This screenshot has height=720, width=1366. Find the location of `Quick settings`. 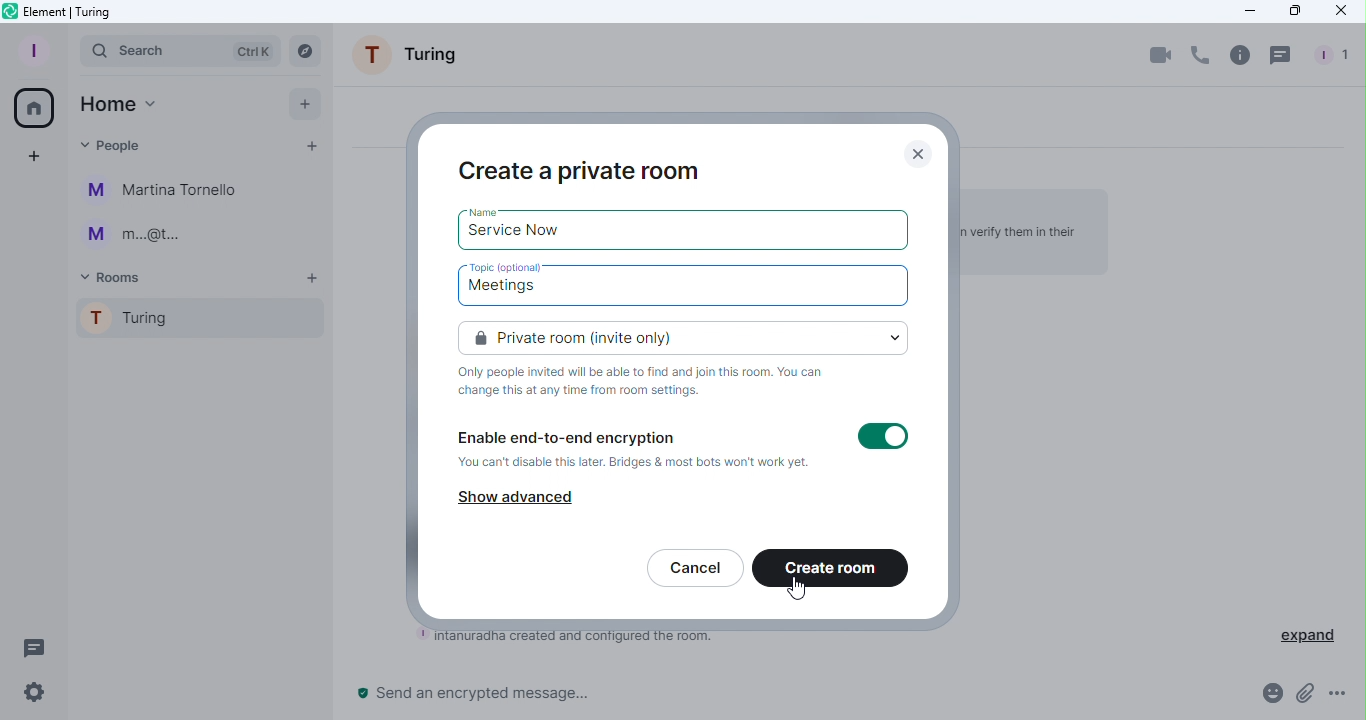

Quick settings is located at coordinates (27, 696).